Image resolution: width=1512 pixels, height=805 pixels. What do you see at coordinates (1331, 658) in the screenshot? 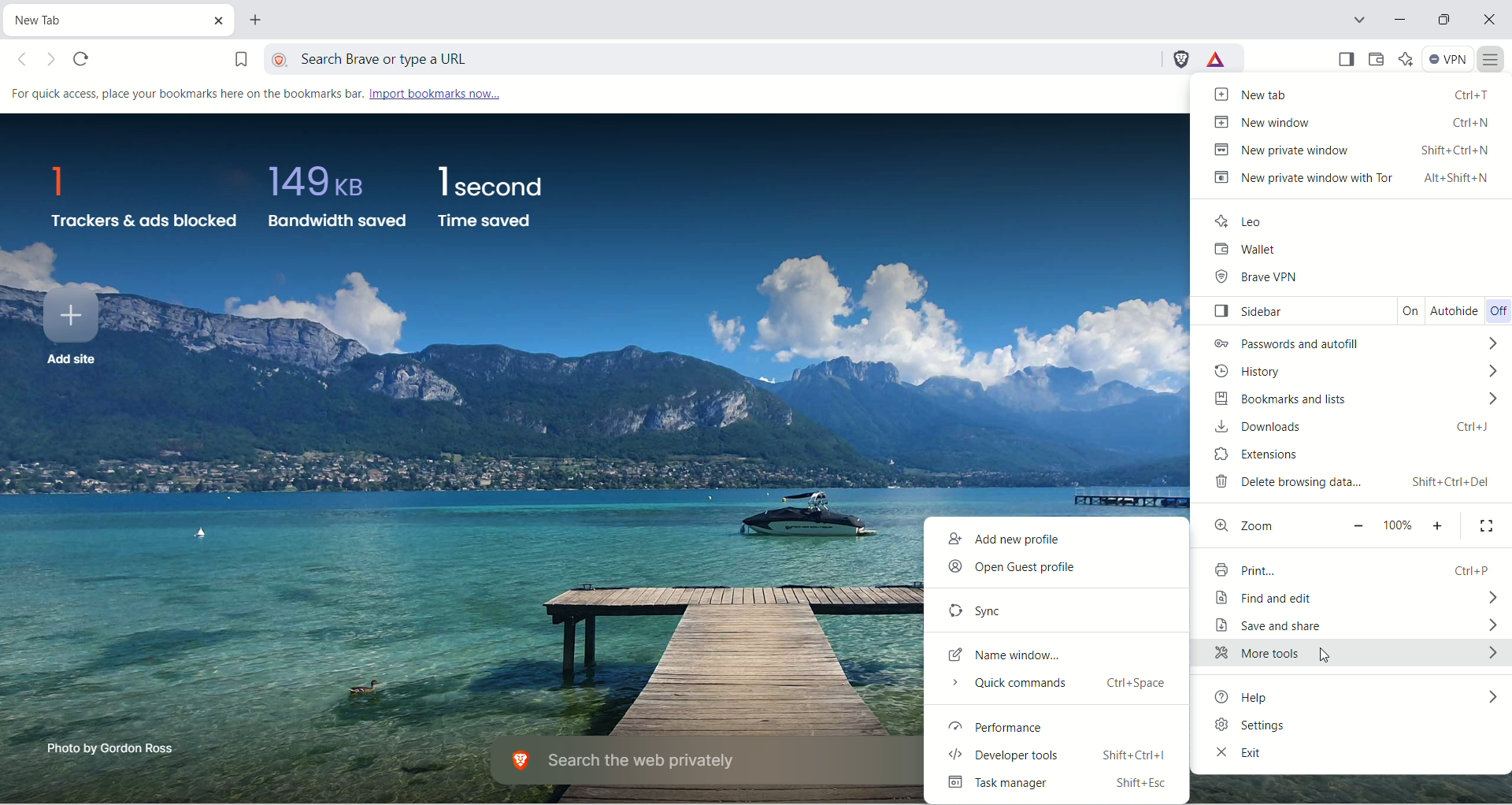
I see `cursor` at bounding box center [1331, 658].